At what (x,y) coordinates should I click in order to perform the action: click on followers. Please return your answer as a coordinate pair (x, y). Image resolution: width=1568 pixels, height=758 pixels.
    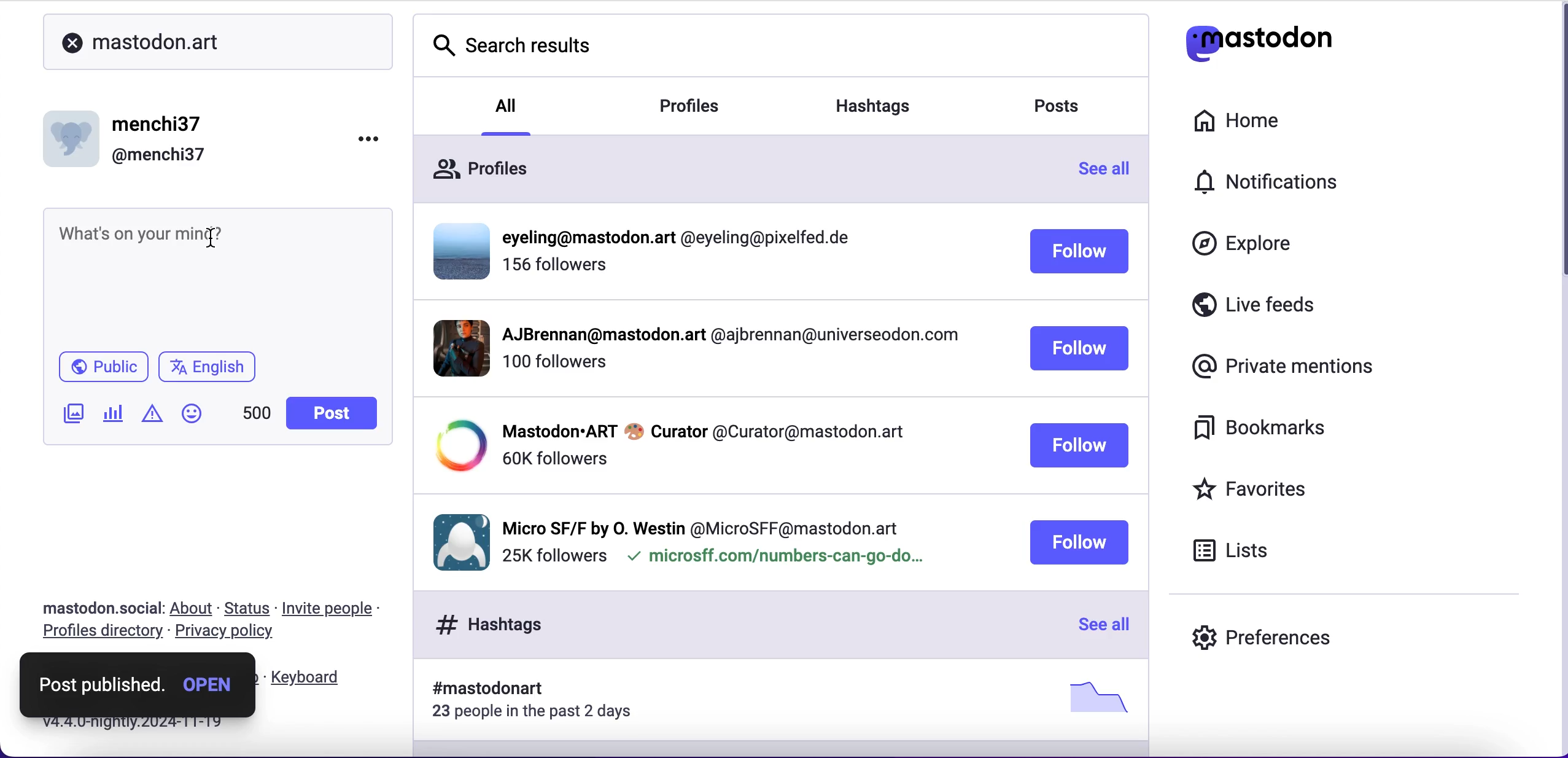
    Looking at the image, I should click on (554, 368).